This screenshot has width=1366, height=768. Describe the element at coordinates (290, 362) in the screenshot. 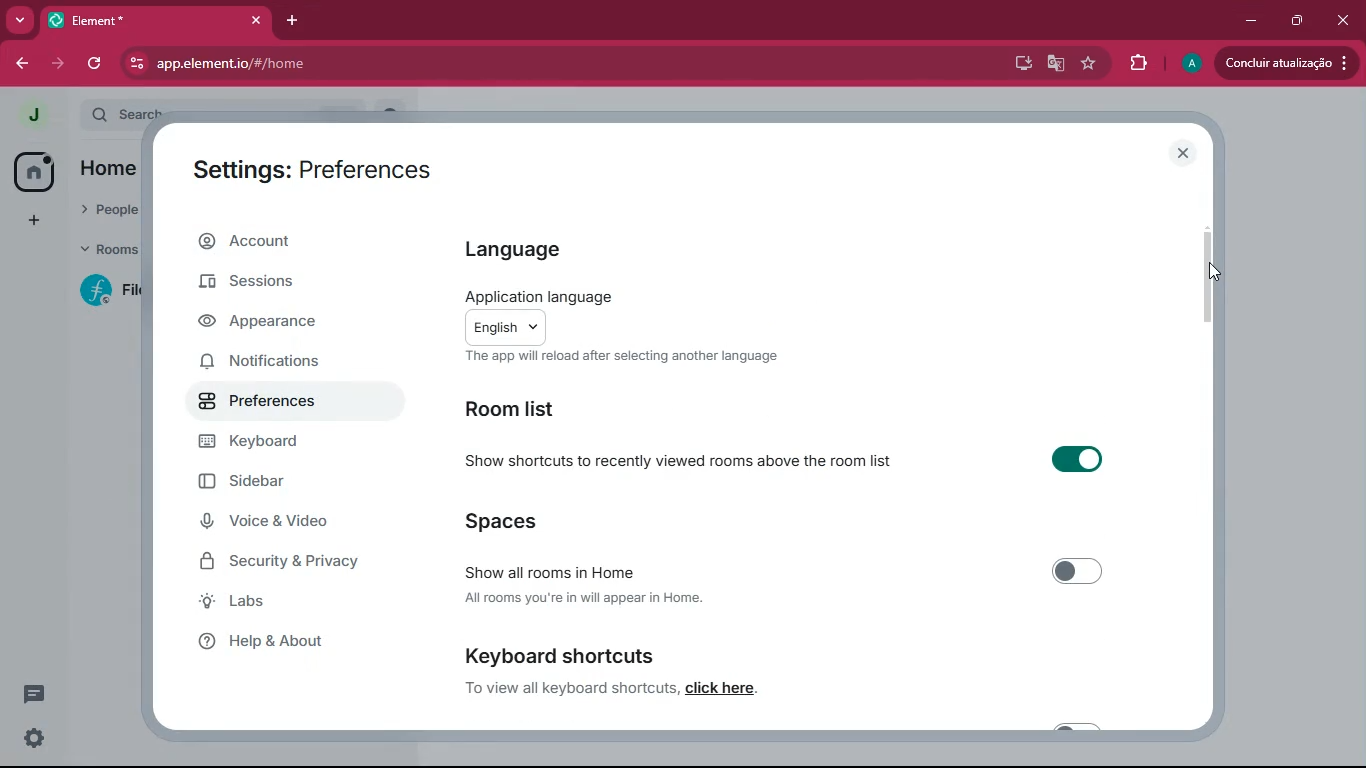

I see `notifications` at that location.